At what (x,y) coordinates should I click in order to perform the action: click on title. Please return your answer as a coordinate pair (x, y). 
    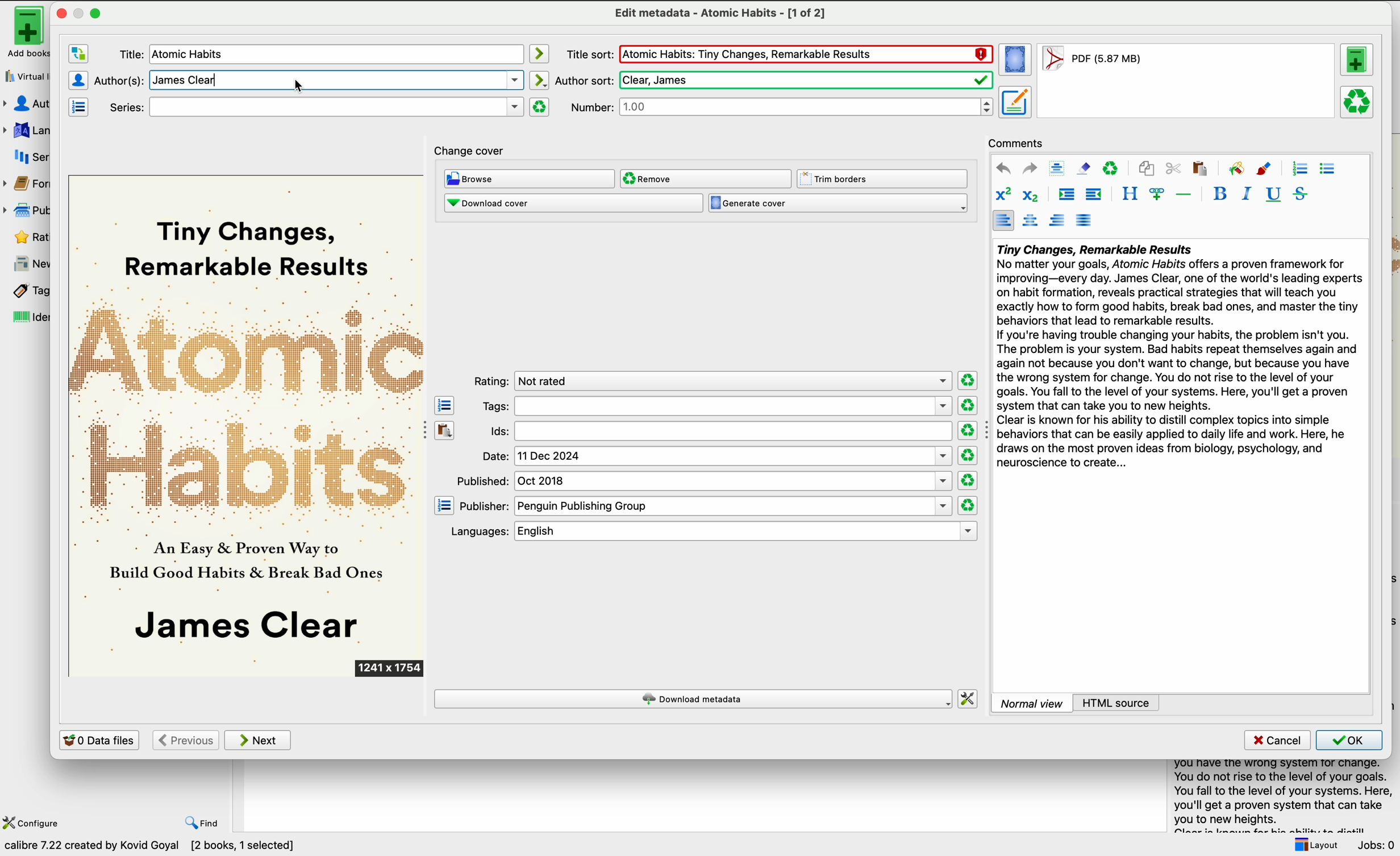
    Looking at the image, I should click on (128, 54).